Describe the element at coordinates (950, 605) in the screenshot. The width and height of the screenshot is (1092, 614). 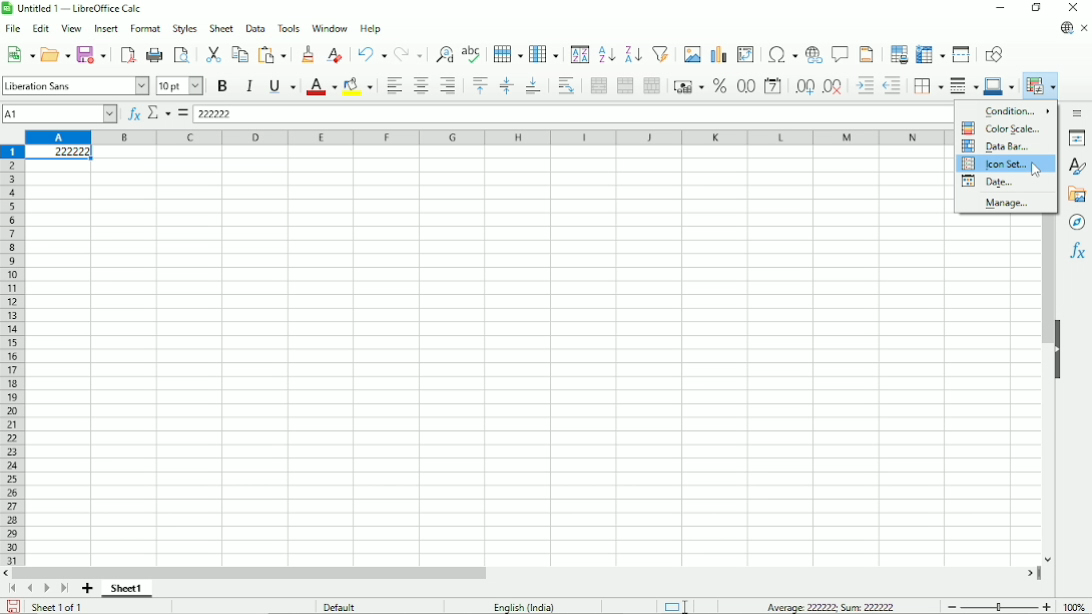
I see `zoom out` at that location.